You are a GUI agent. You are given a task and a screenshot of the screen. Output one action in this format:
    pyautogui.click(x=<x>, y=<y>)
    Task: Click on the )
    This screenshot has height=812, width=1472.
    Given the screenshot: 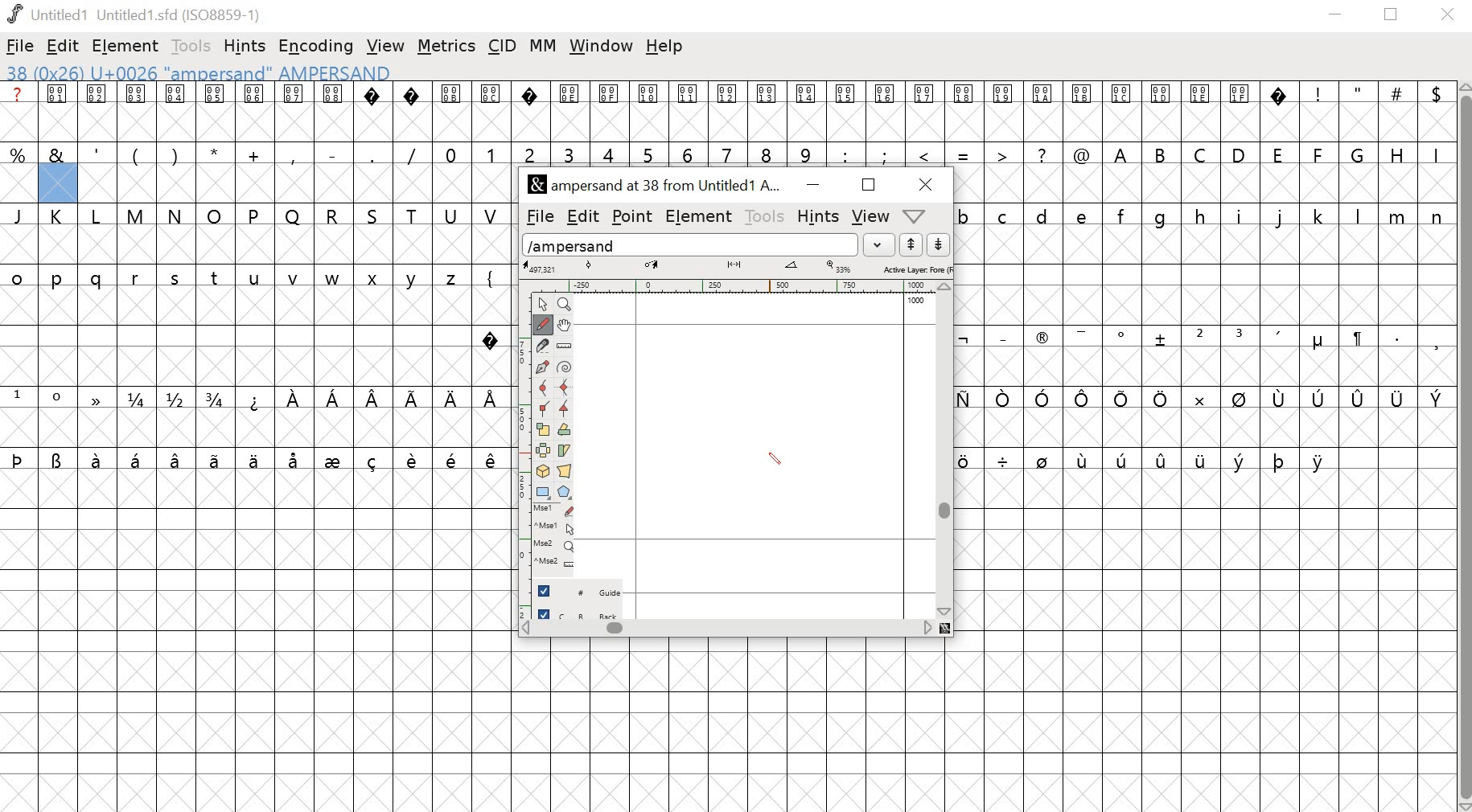 What is the action you would take?
    pyautogui.click(x=175, y=154)
    